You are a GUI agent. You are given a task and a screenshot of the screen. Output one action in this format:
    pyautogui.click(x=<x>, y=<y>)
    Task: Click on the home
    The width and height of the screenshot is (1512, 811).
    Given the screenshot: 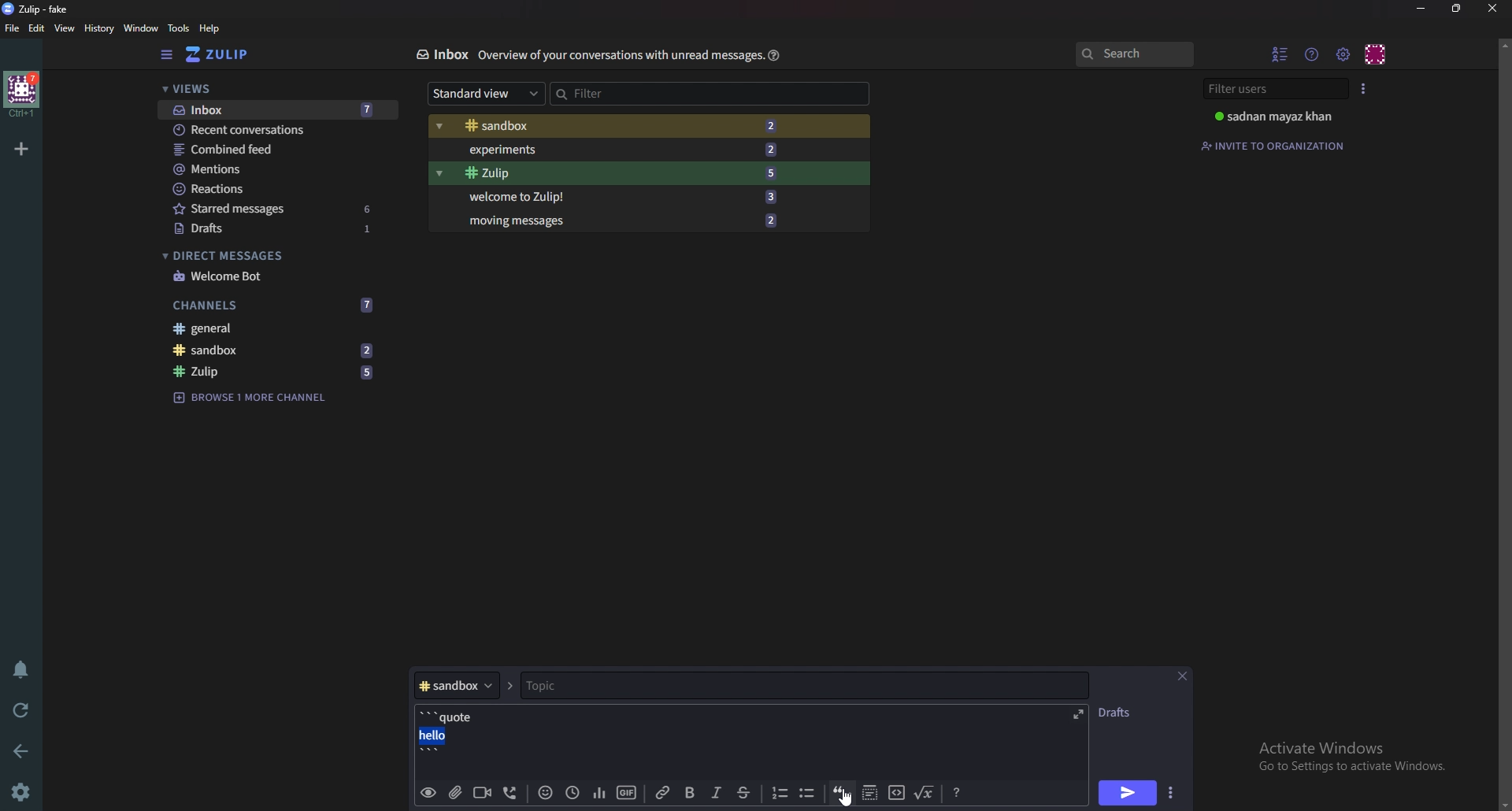 What is the action you would take?
    pyautogui.click(x=24, y=93)
    